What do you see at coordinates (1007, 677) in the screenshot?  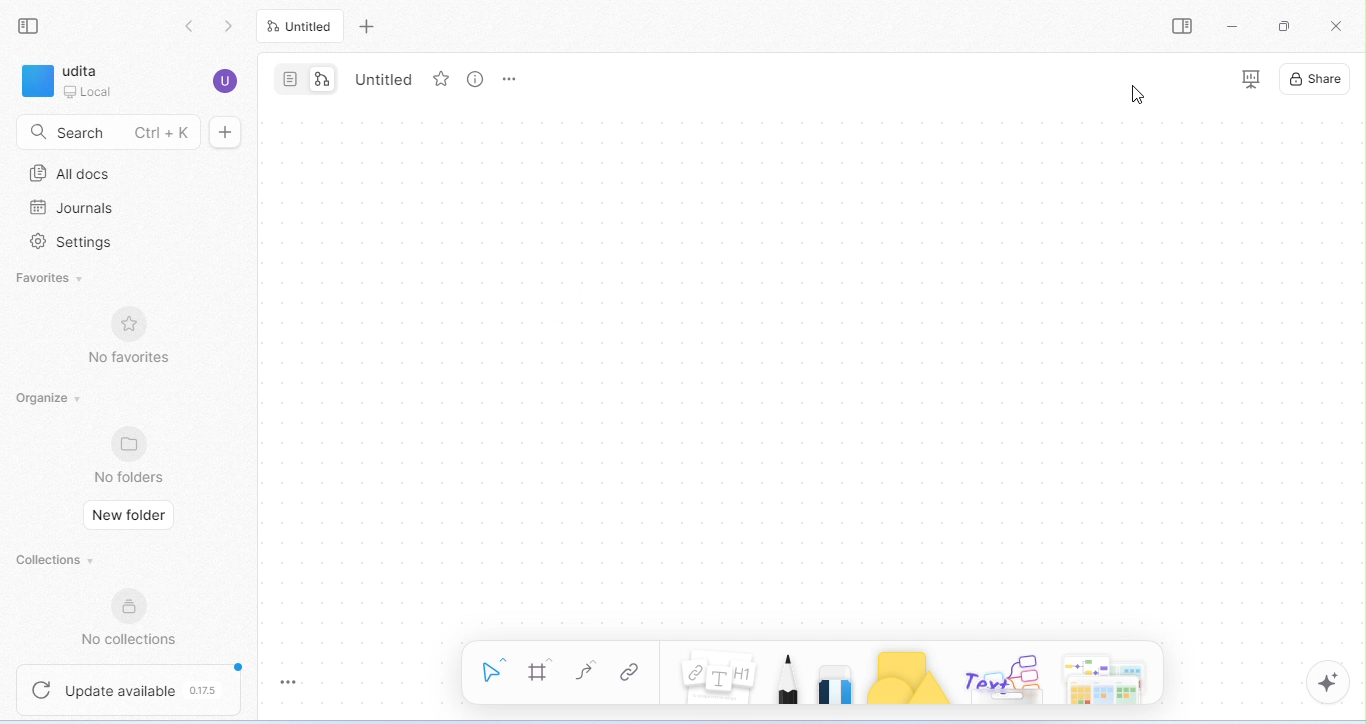 I see `others` at bounding box center [1007, 677].